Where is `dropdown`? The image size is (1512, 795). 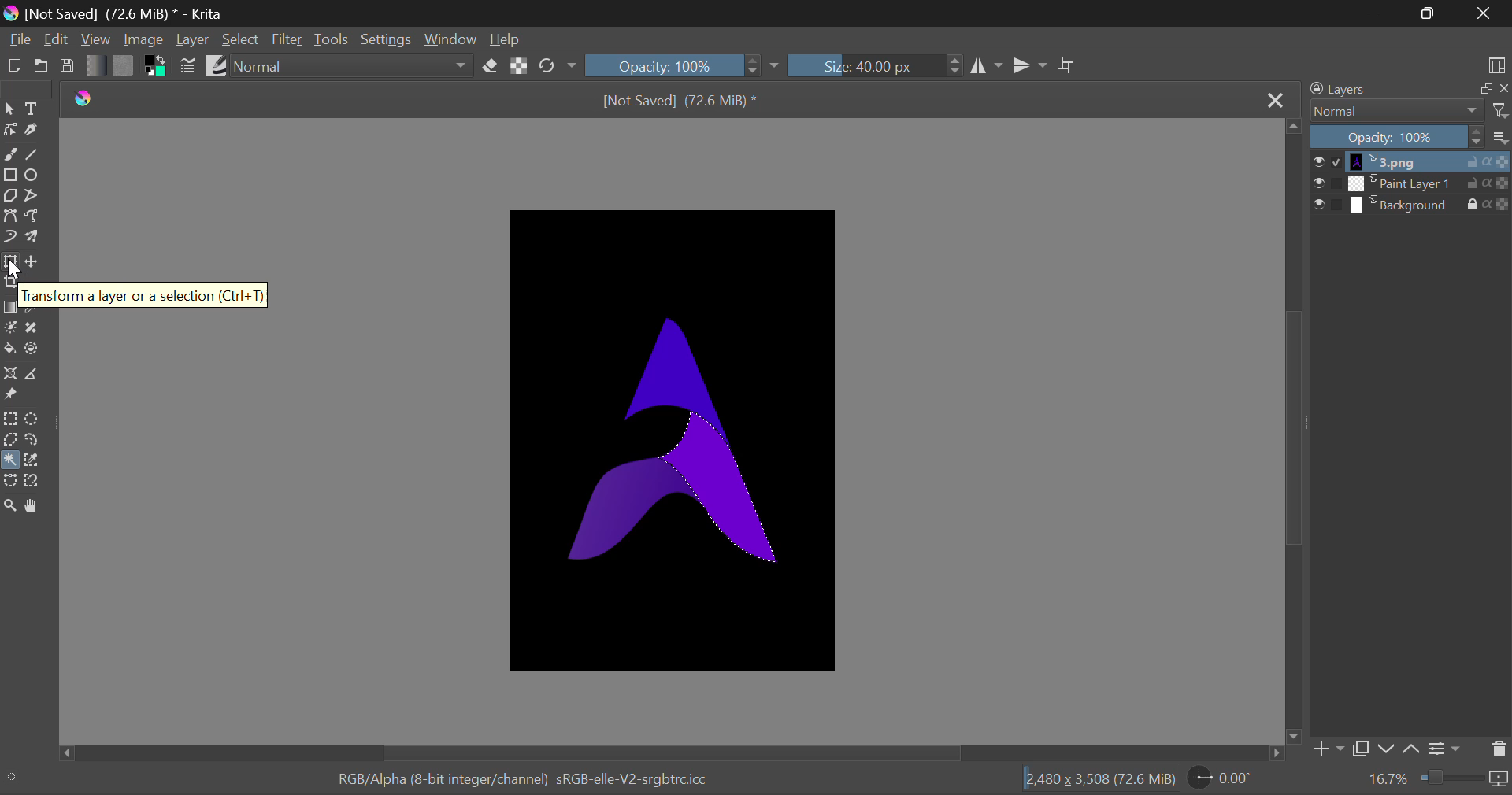 dropdown is located at coordinates (775, 65).